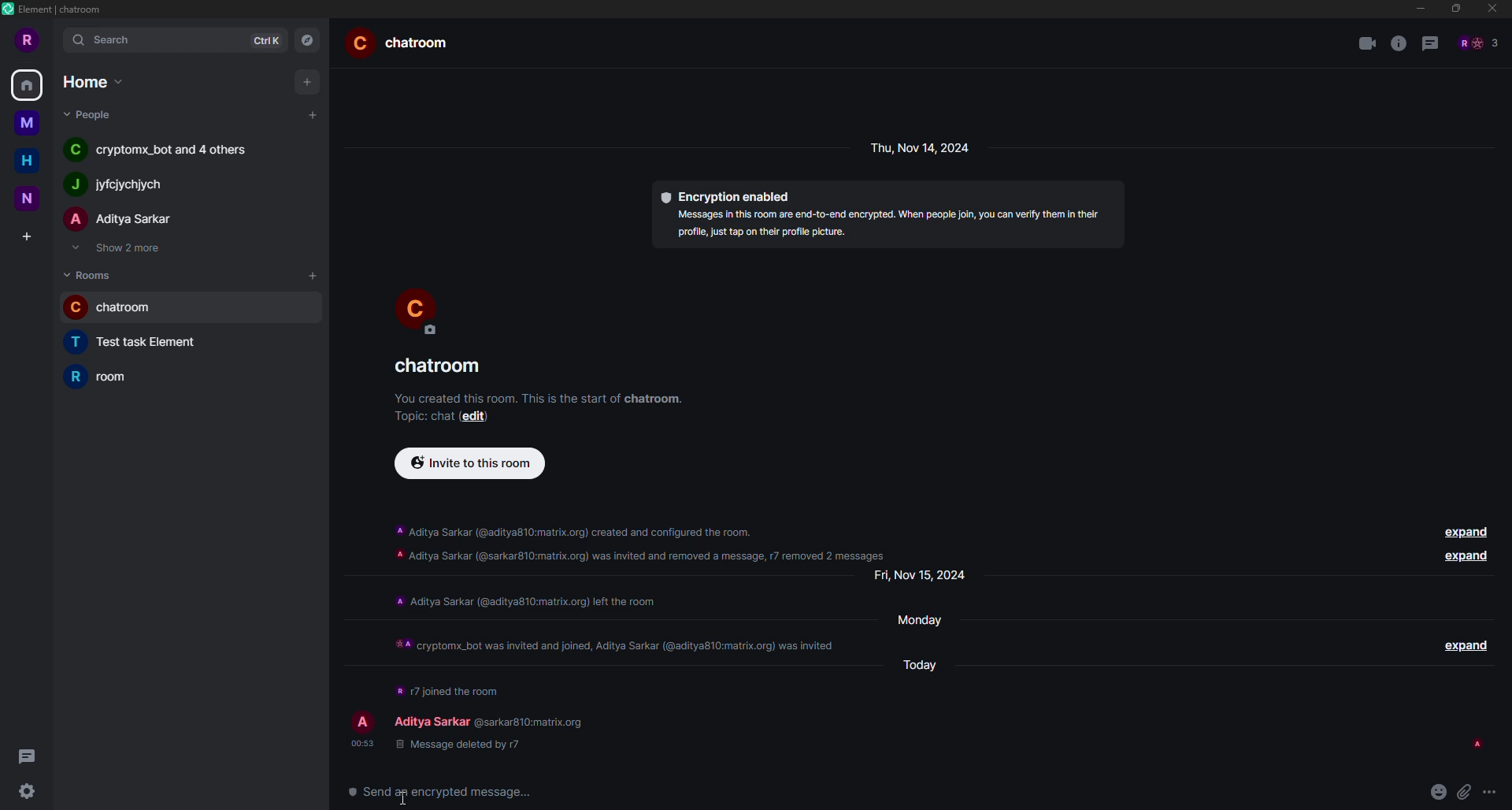  What do you see at coordinates (164, 151) in the screenshot?
I see `people` at bounding box center [164, 151].